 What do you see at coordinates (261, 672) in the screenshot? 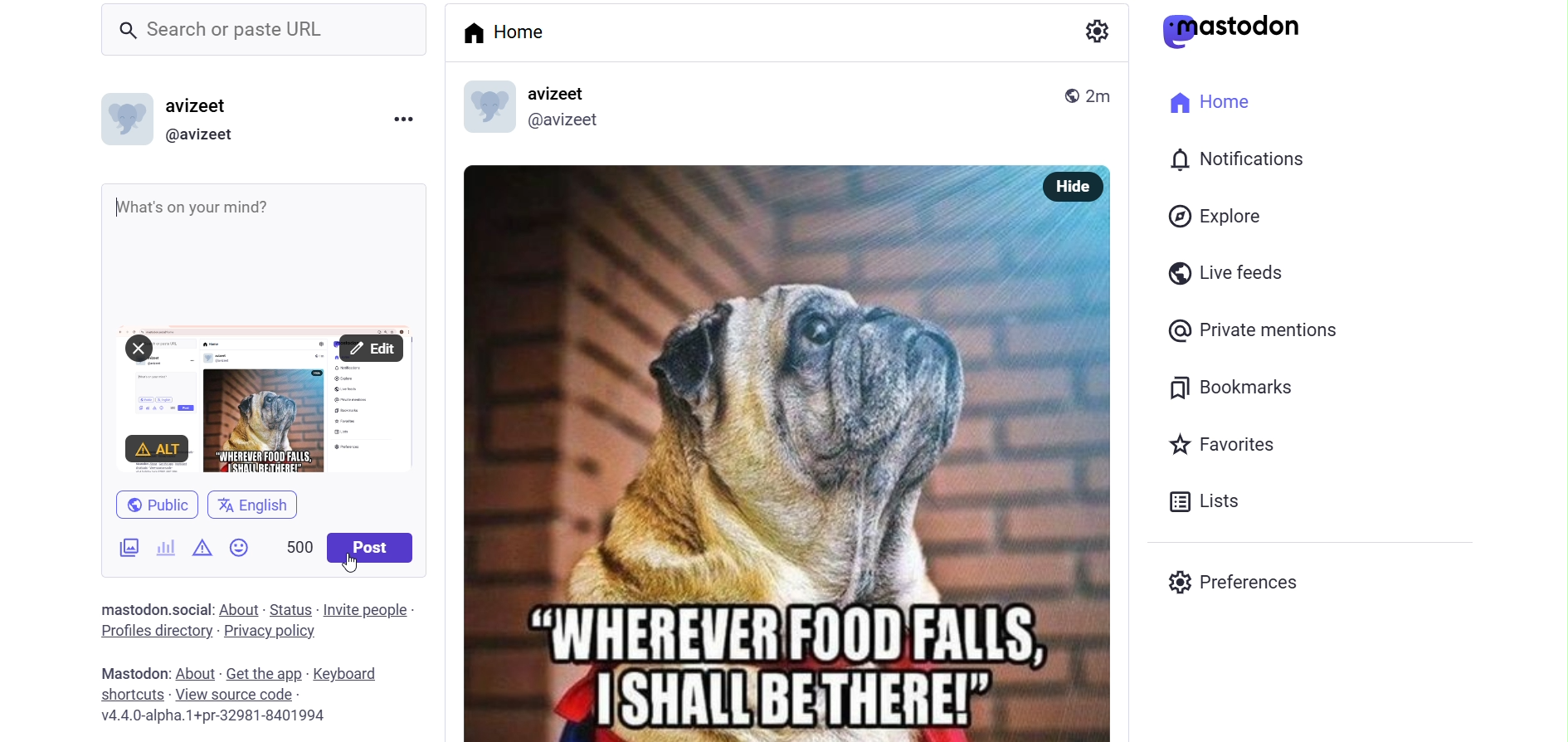
I see `get the app` at bounding box center [261, 672].